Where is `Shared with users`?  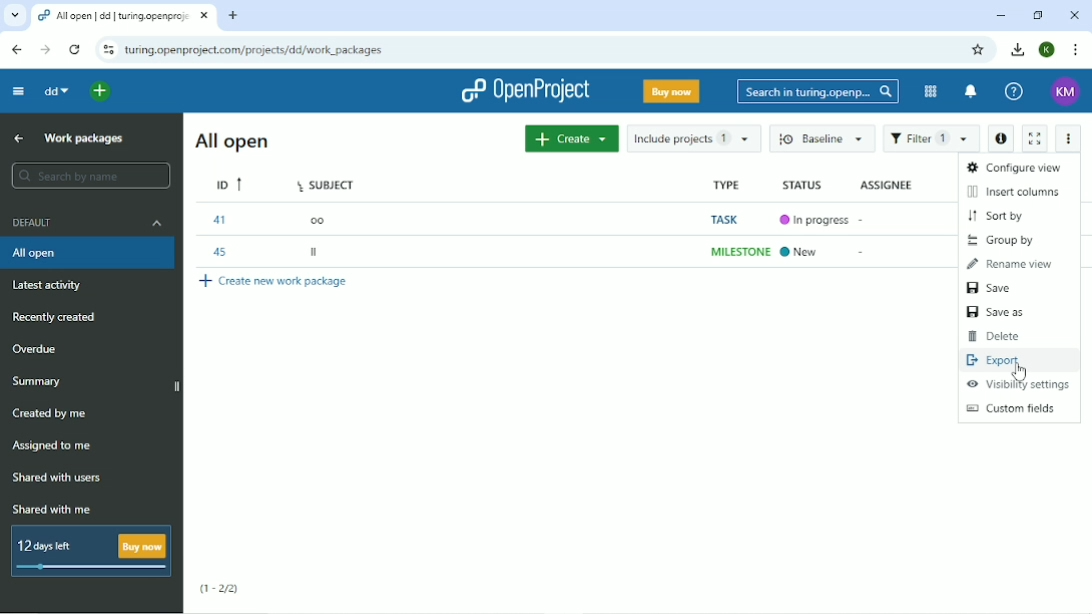
Shared with users is located at coordinates (58, 480).